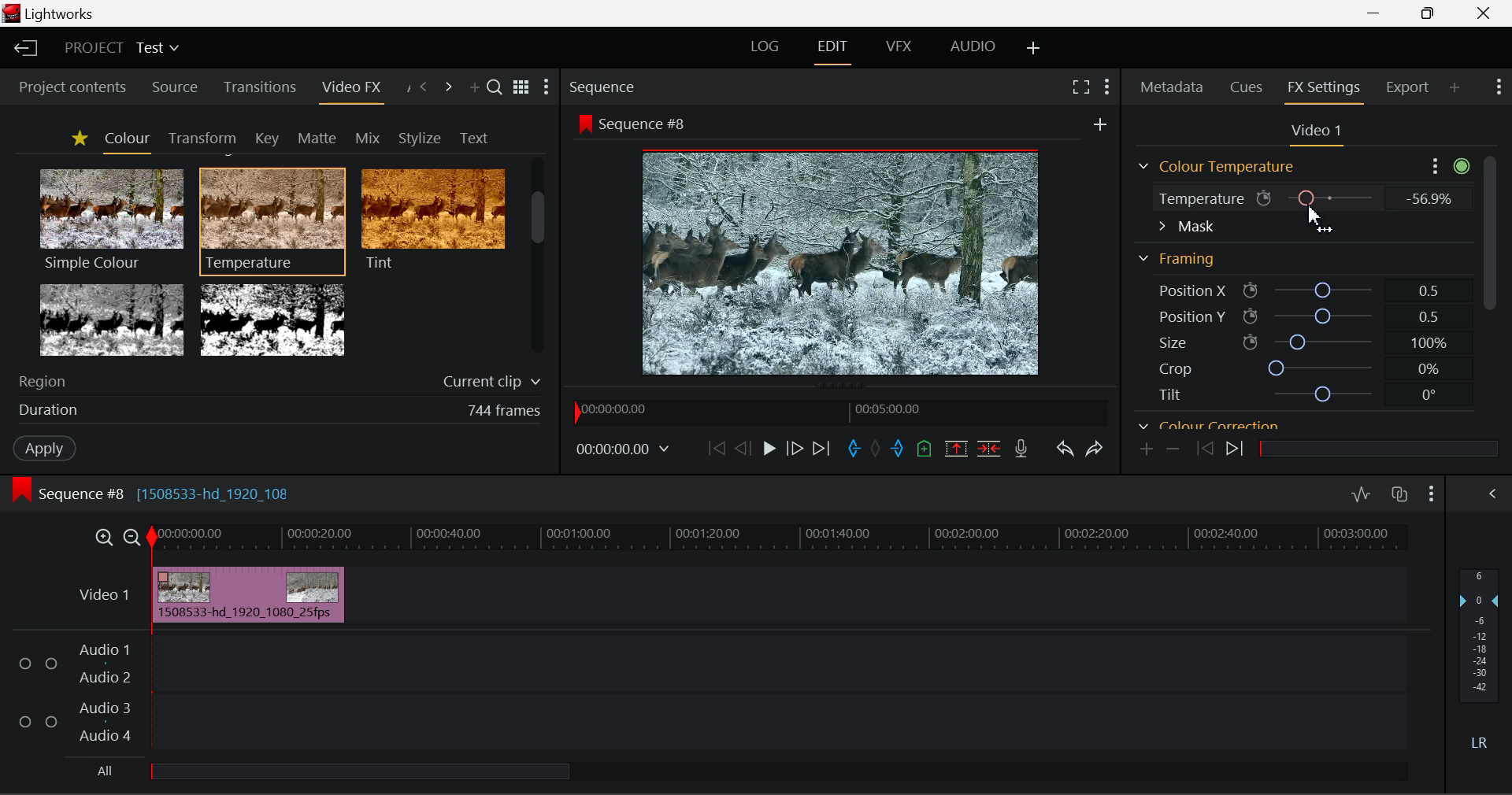  What do you see at coordinates (1360, 492) in the screenshot?
I see `Toggle audio levels editing` at bounding box center [1360, 492].